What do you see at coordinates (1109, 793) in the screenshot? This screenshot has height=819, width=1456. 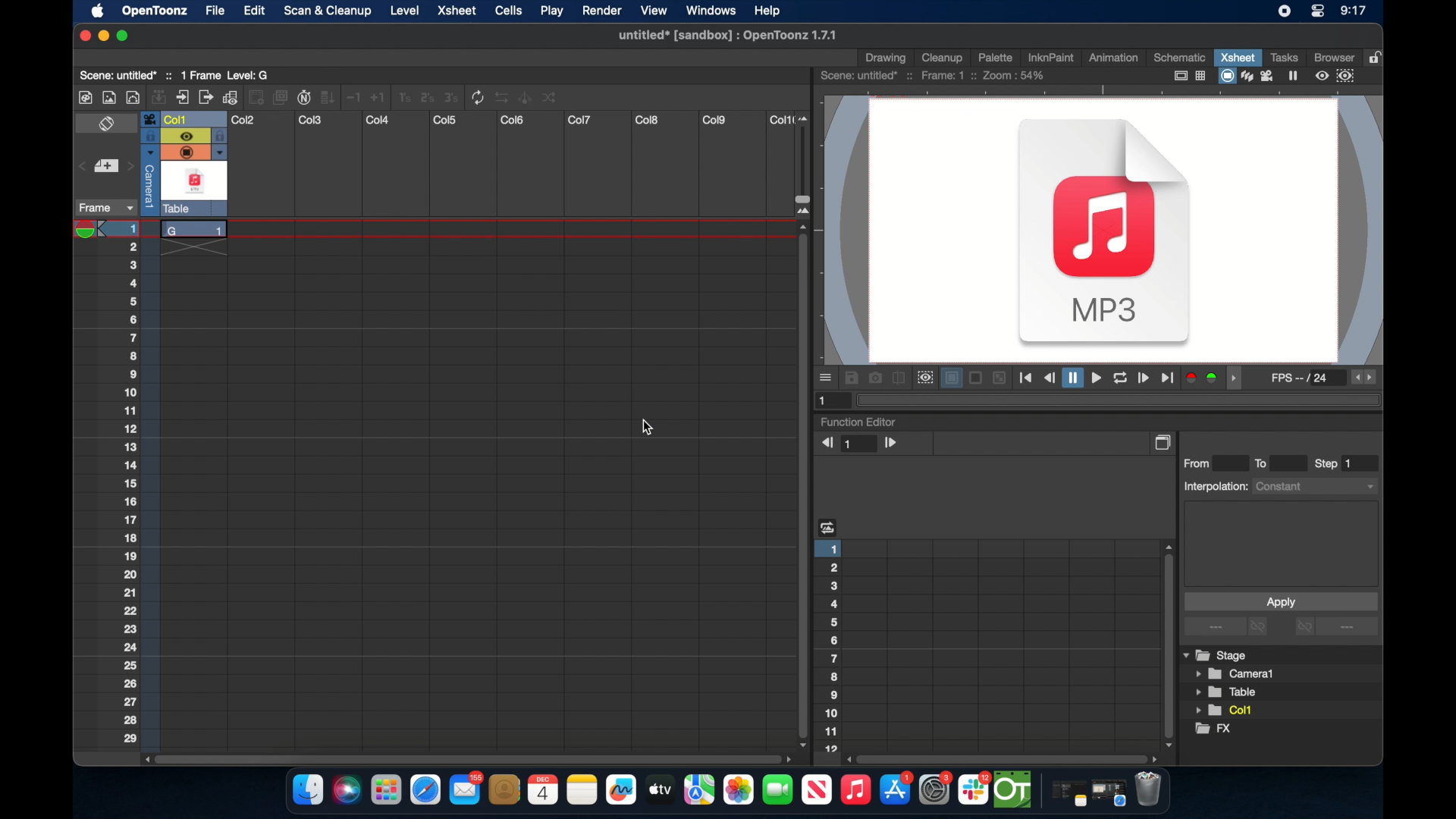 I see `safari` at bounding box center [1109, 793].